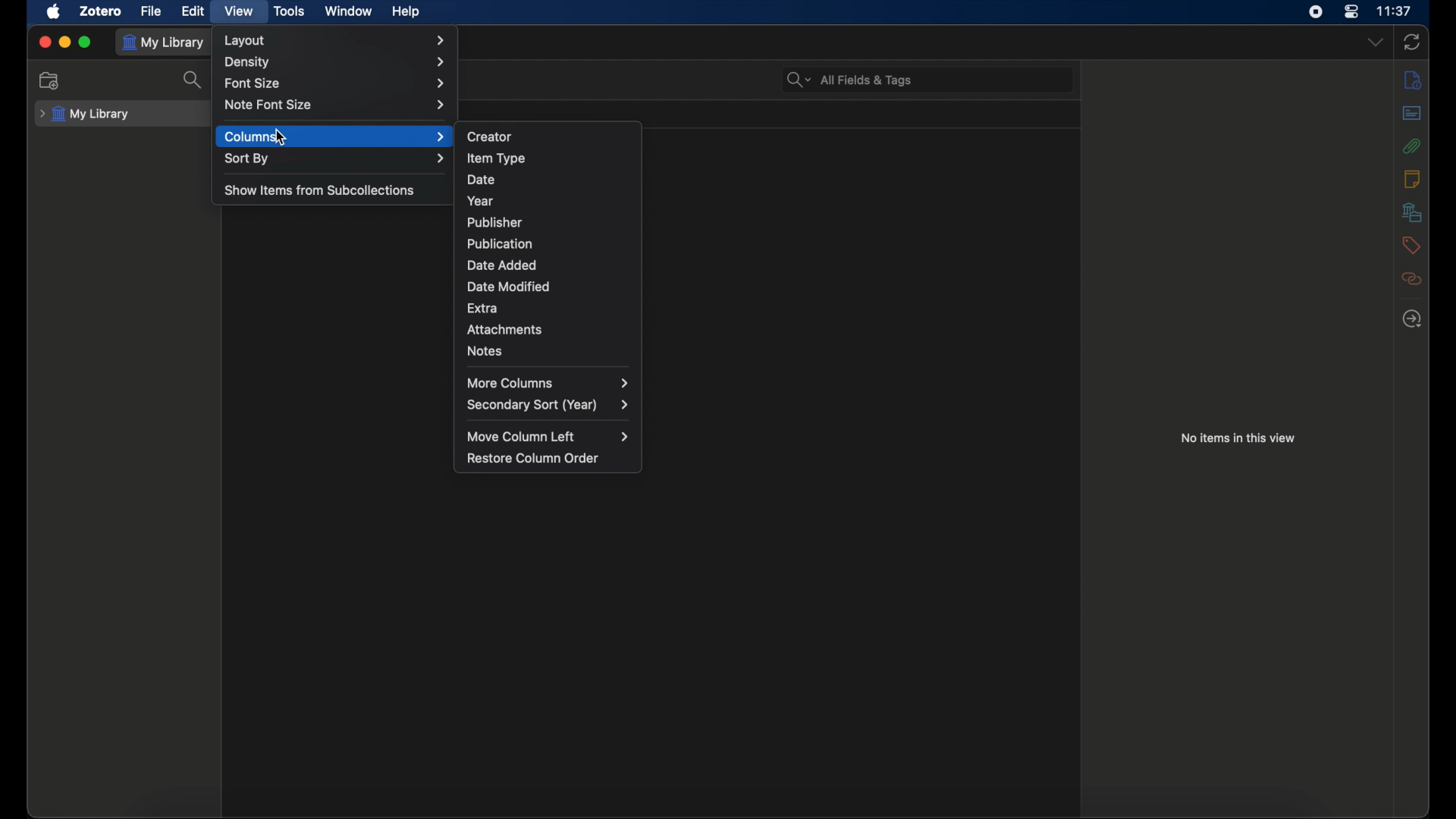 The width and height of the screenshot is (1456, 819). What do you see at coordinates (495, 223) in the screenshot?
I see `publisher` at bounding box center [495, 223].